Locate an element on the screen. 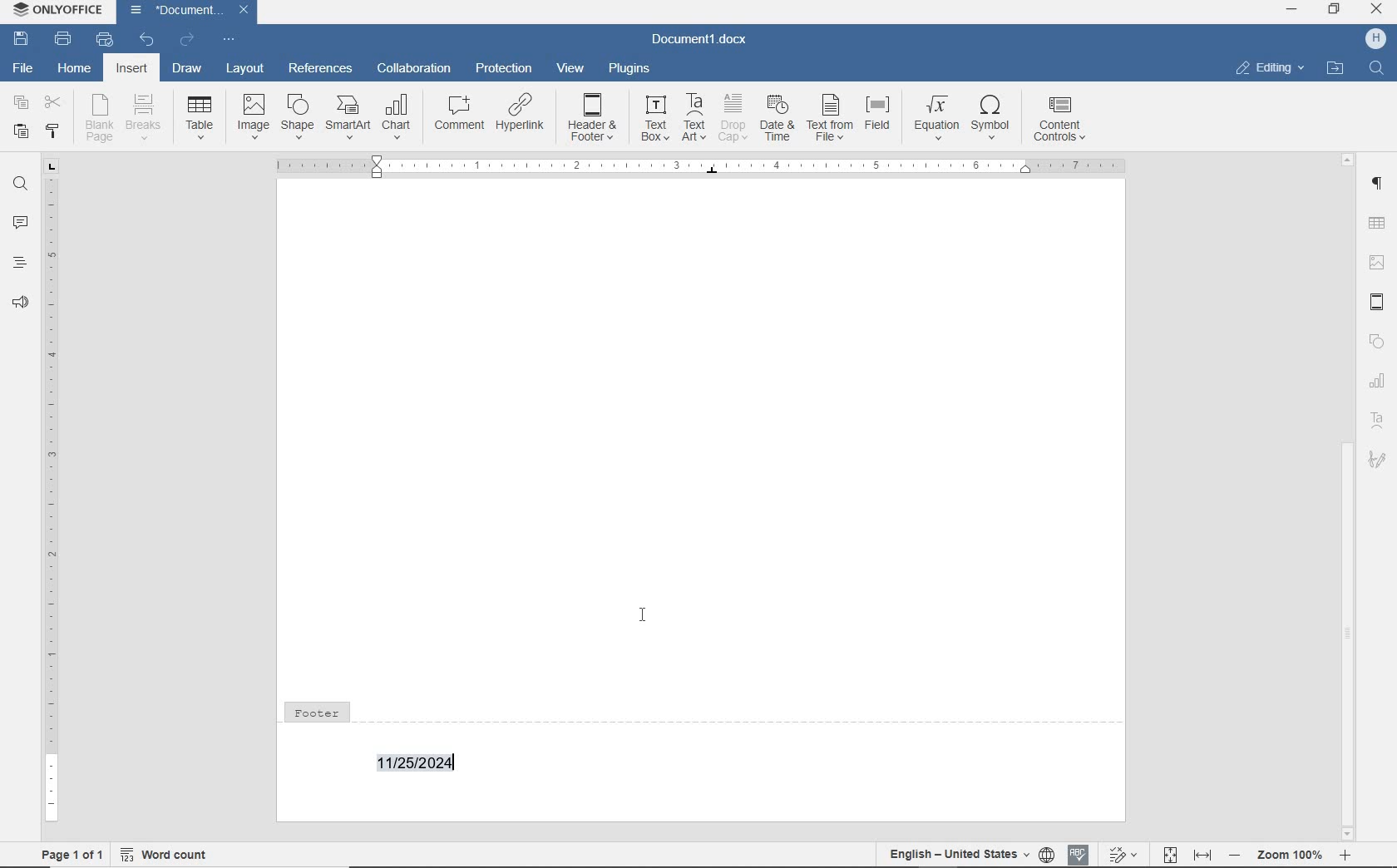 The height and width of the screenshot is (868, 1397). restore down is located at coordinates (1335, 11).